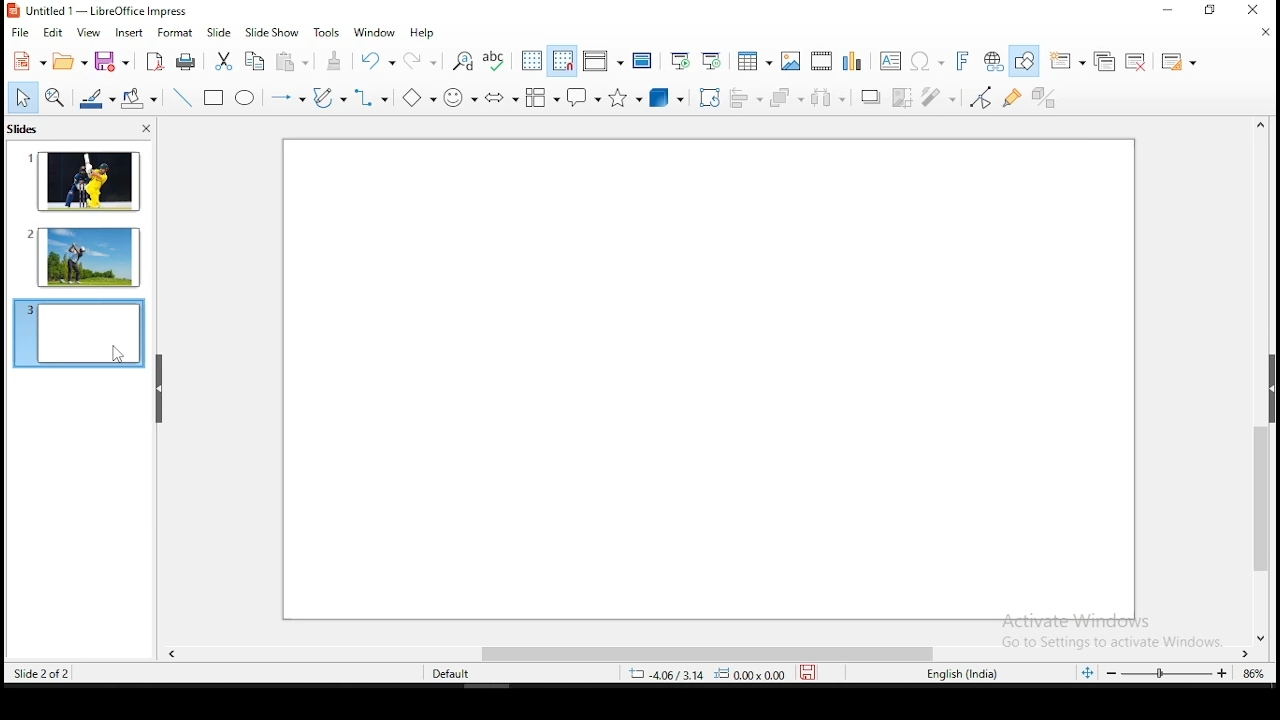 The image size is (1280, 720). I want to click on slide, so click(218, 32).